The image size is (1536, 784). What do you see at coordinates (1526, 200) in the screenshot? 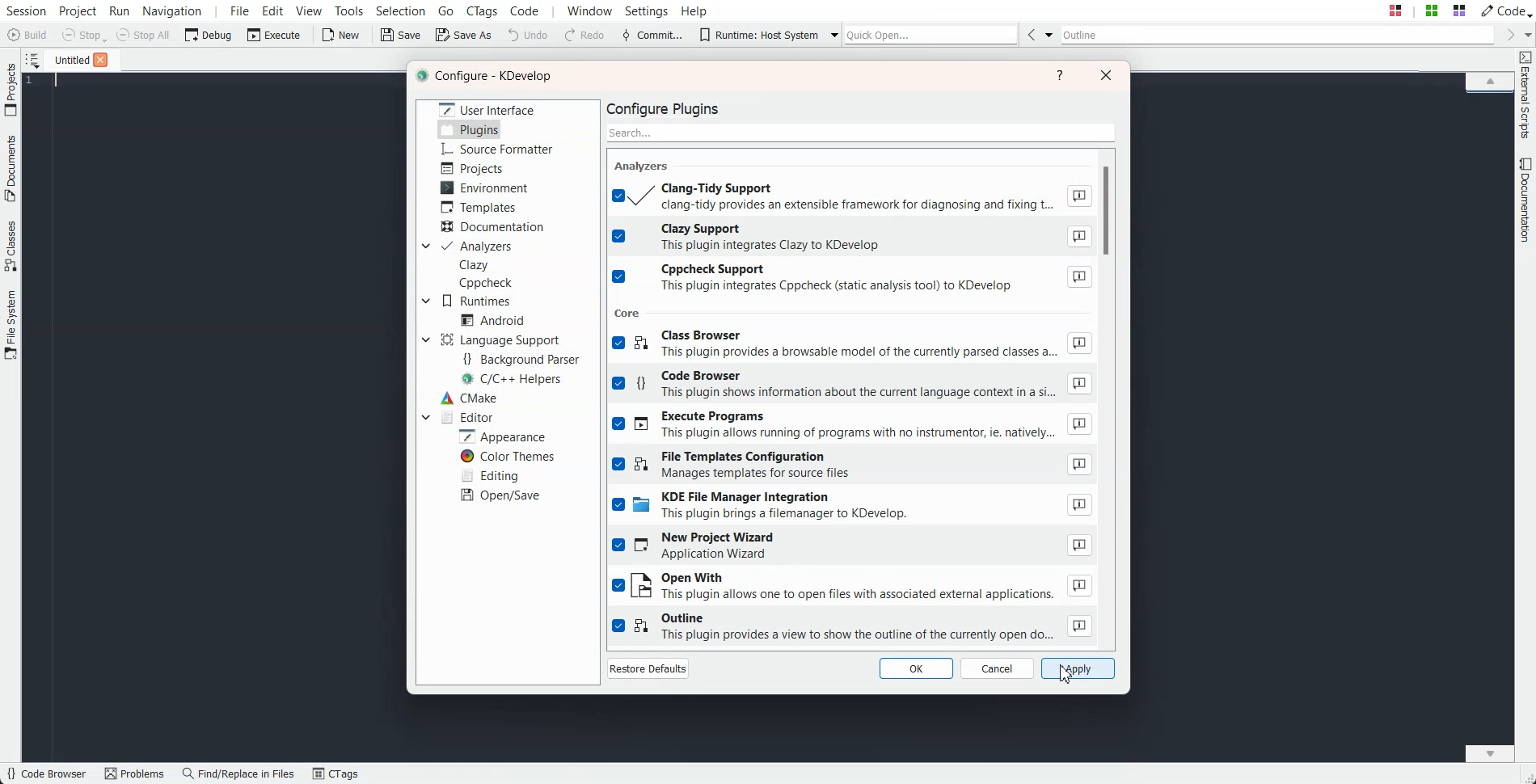
I see `Documentation` at bounding box center [1526, 200].